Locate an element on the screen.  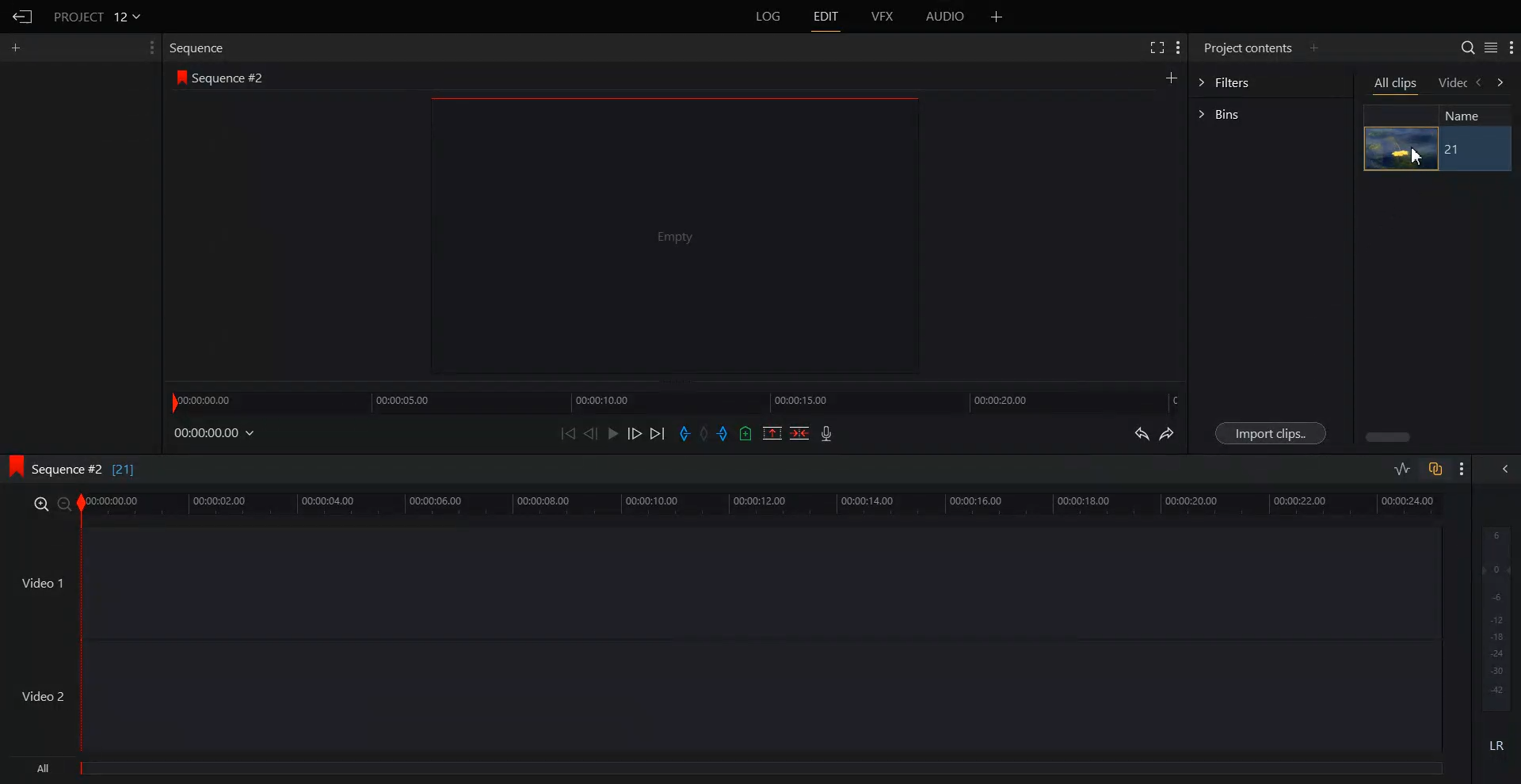
All clips is located at coordinates (1395, 84).